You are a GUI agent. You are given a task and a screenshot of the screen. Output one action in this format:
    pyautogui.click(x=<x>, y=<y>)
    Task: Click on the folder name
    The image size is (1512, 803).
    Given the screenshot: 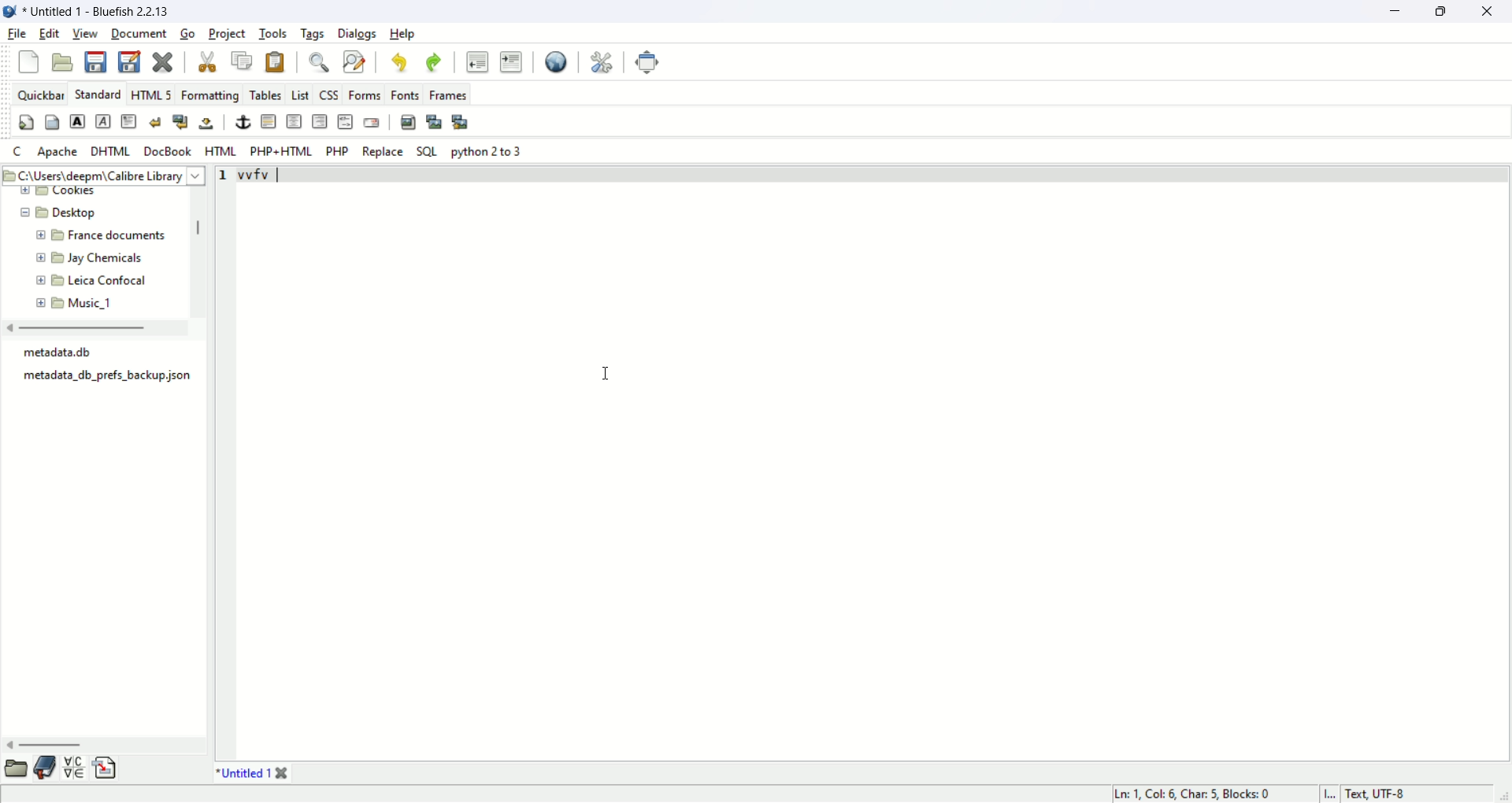 What is the action you would take?
    pyautogui.click(x=98, y=233)
    